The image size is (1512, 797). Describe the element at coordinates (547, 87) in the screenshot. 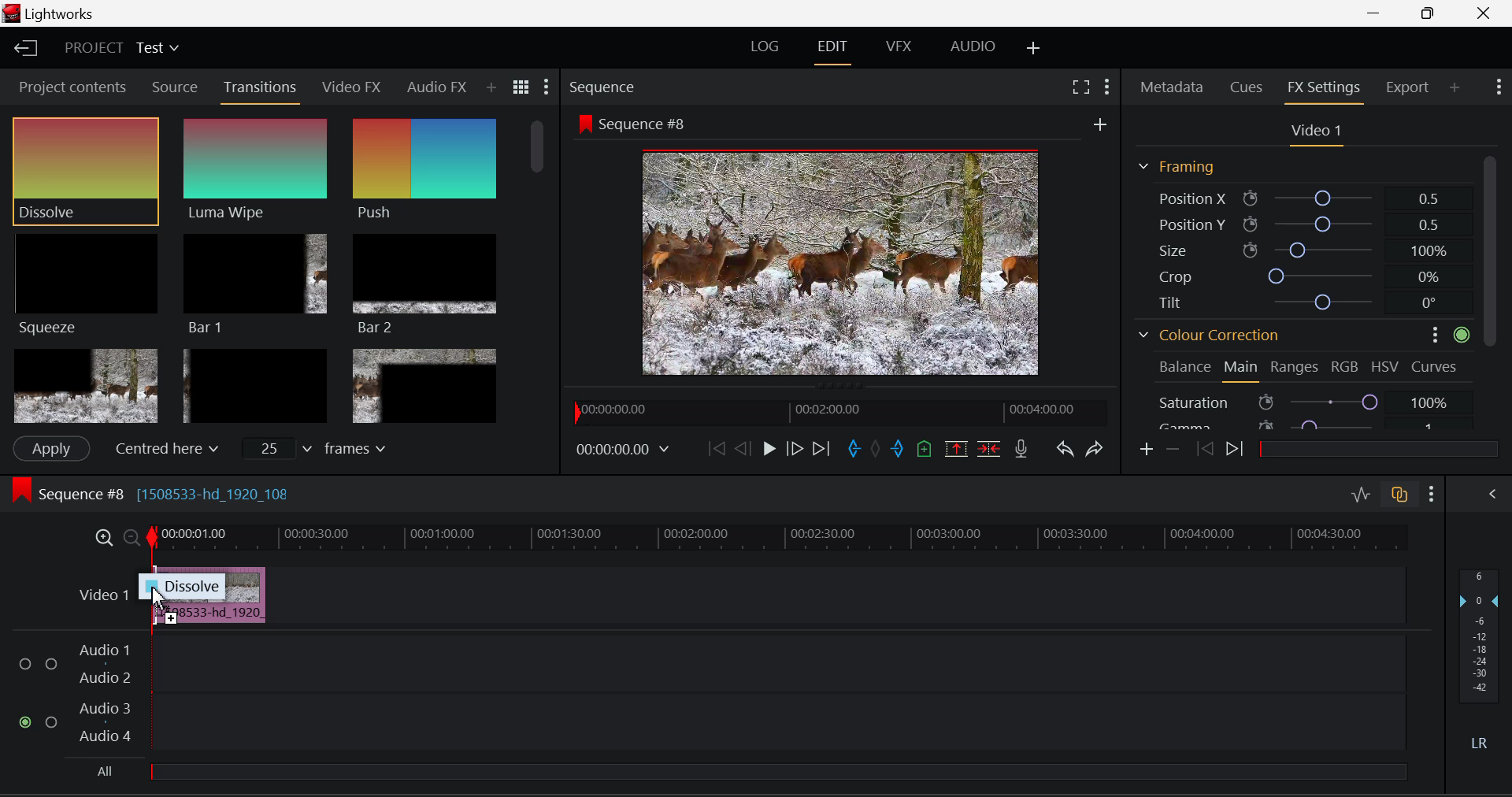

I see `Show Settings` at that location.